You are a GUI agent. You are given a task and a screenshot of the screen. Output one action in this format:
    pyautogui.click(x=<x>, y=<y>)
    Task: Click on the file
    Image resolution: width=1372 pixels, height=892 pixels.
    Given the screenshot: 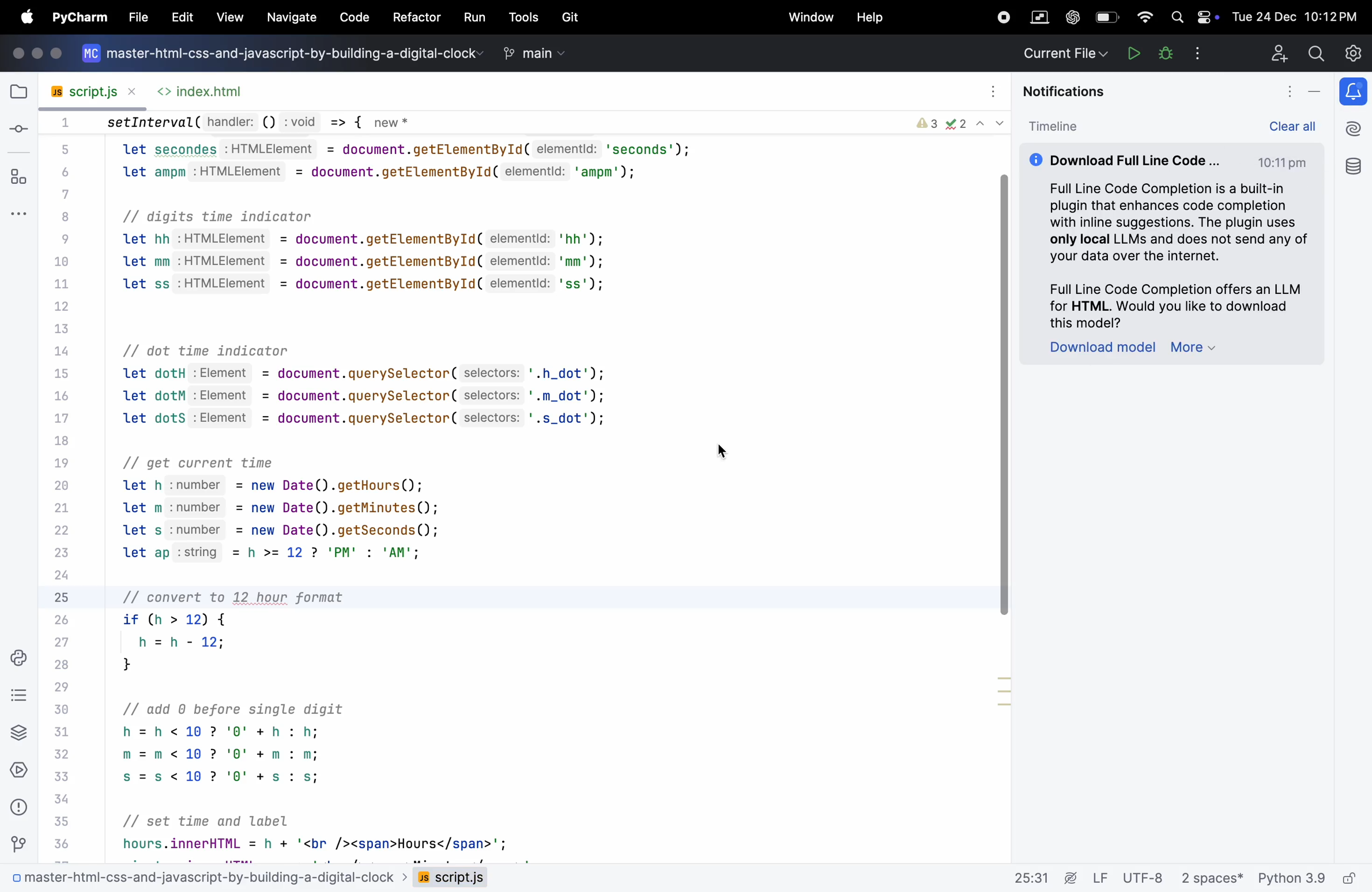 What is the action you would take?
    pyautogui.click(x=17, y=92)
    